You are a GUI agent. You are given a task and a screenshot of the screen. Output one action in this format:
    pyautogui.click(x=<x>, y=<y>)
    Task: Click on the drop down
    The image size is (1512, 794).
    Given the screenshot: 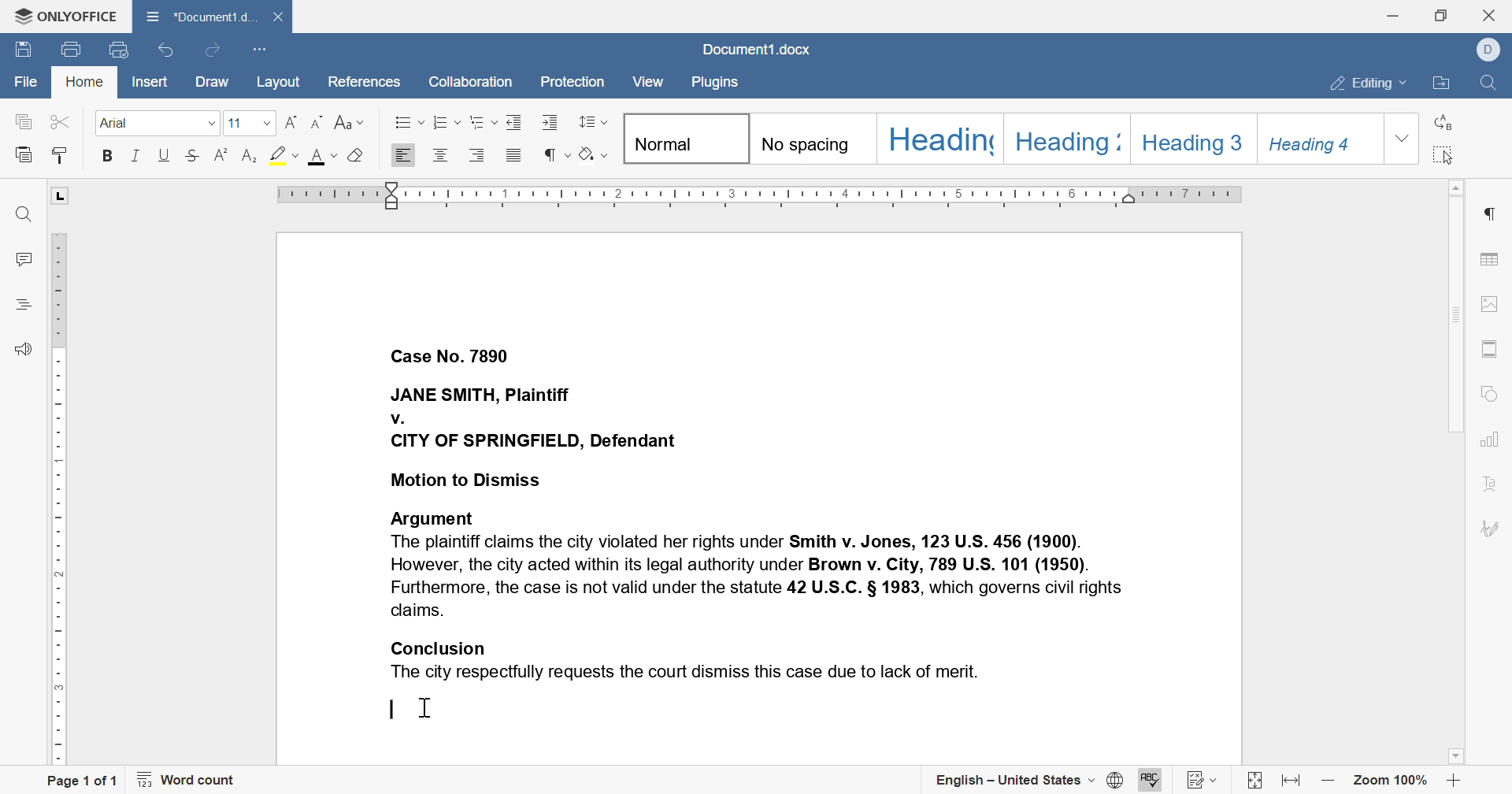 What is the action you would take?
    pyautogui.click(x=1403, y=138)
    